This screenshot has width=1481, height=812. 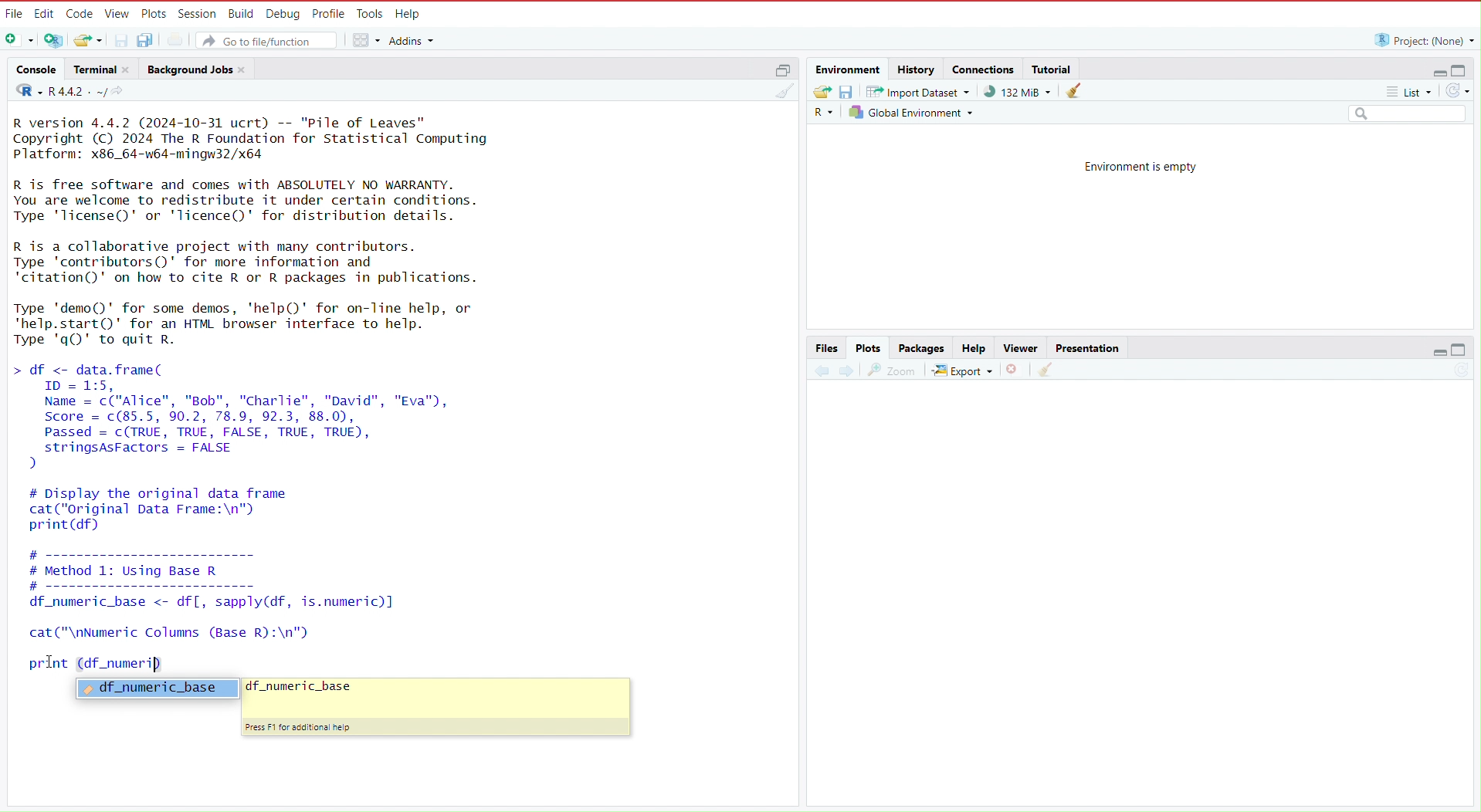 What do you see at coordinates (44, 11) in the screenshot?
I see `Edit` at bounding box center [44, 11].